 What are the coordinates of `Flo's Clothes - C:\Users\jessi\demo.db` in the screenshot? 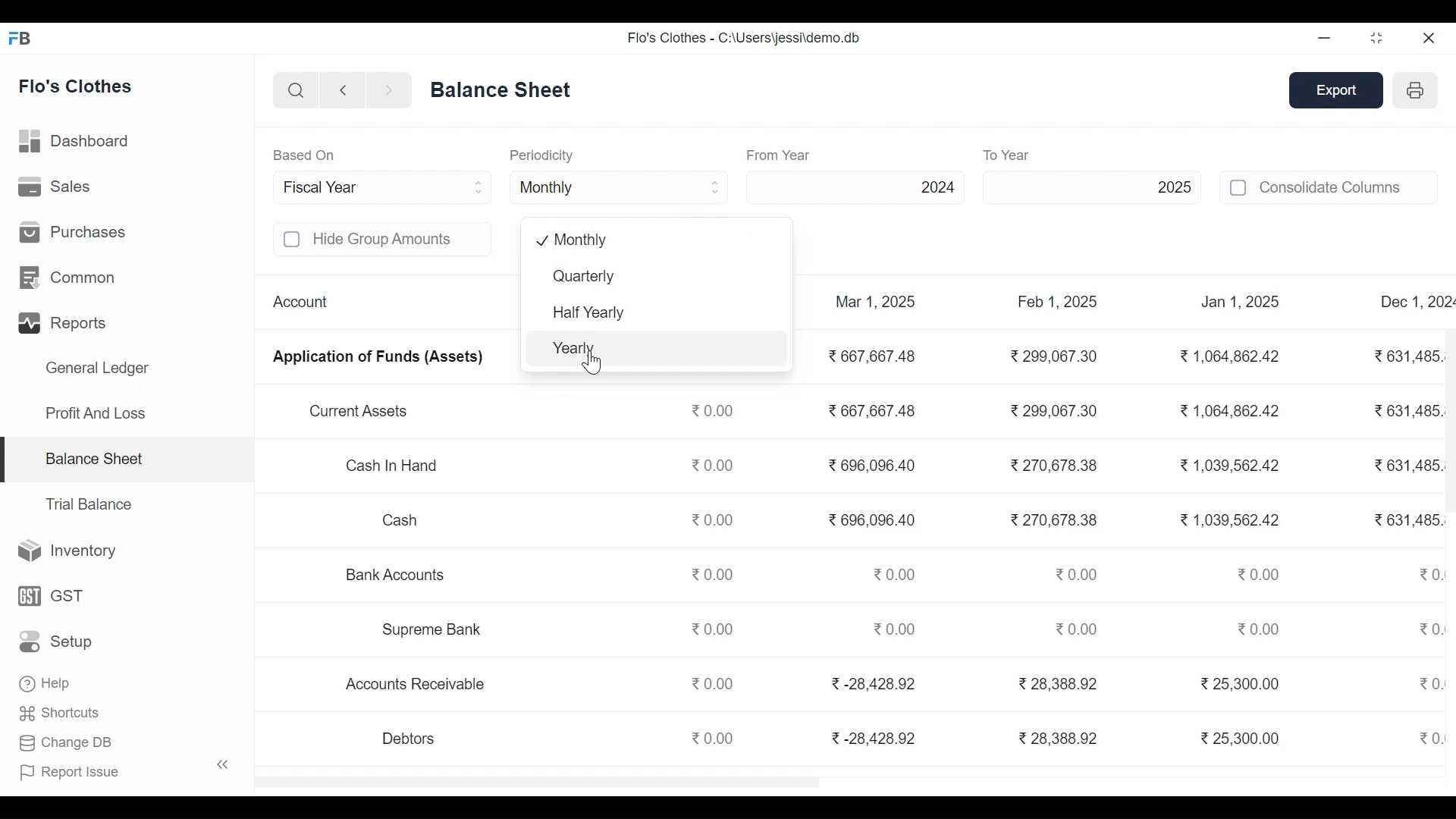 It's located at (743, 38).